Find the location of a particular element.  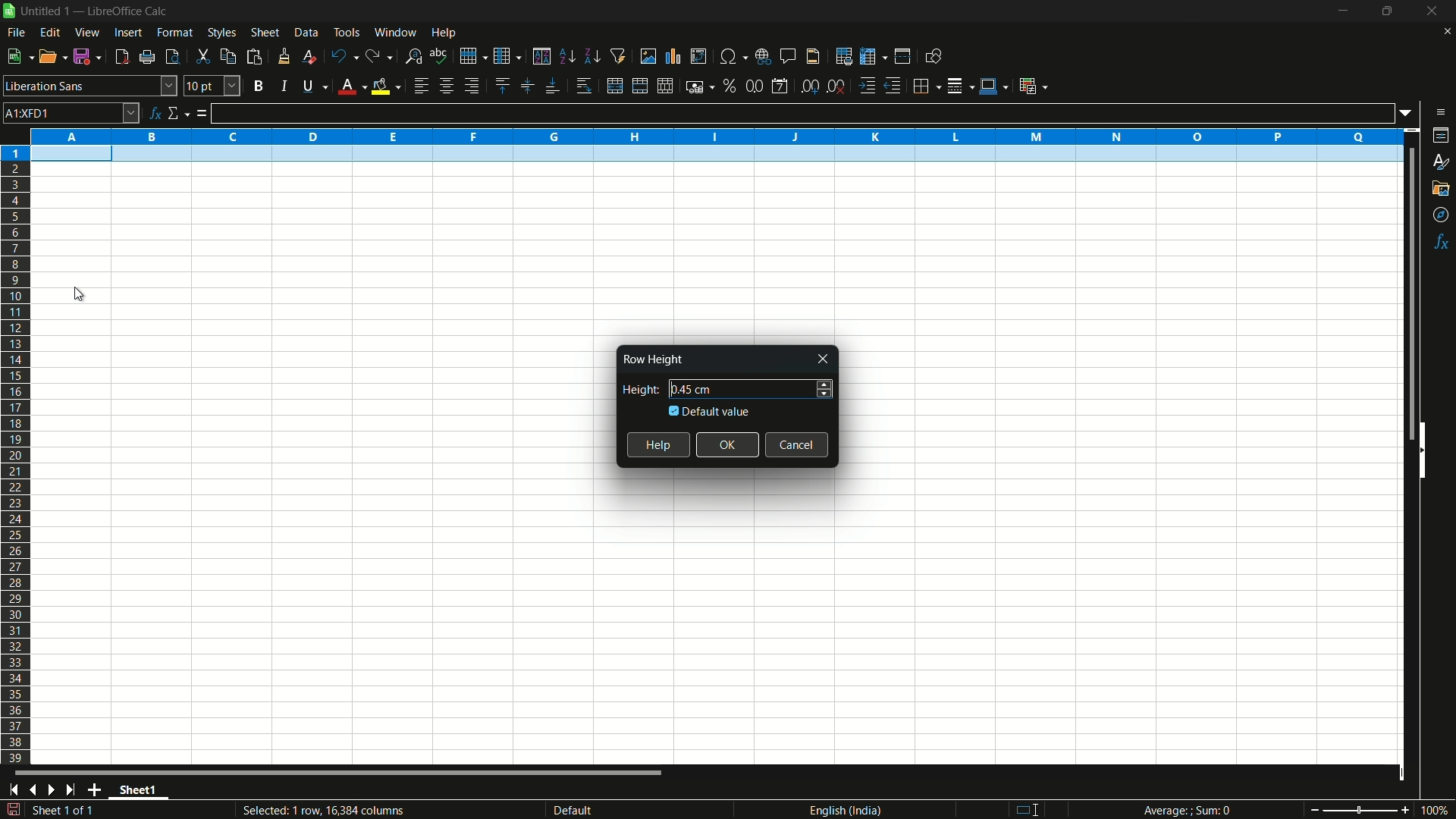

column is located at coordinates (508, 57).